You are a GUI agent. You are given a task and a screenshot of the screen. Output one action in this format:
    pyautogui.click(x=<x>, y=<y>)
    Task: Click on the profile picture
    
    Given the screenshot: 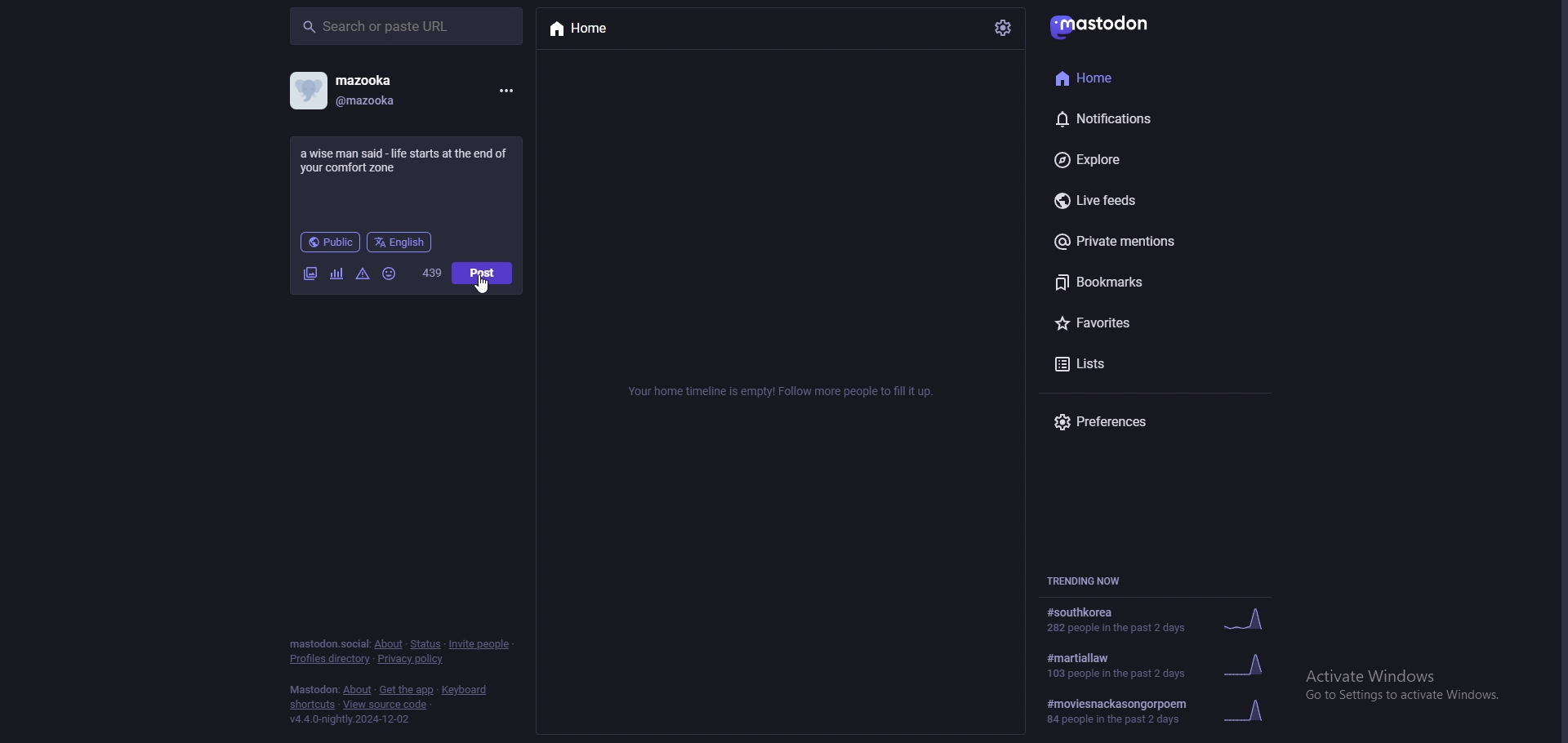 What is the action you would take?
    pyautogui.click(x=306, y=89)
    